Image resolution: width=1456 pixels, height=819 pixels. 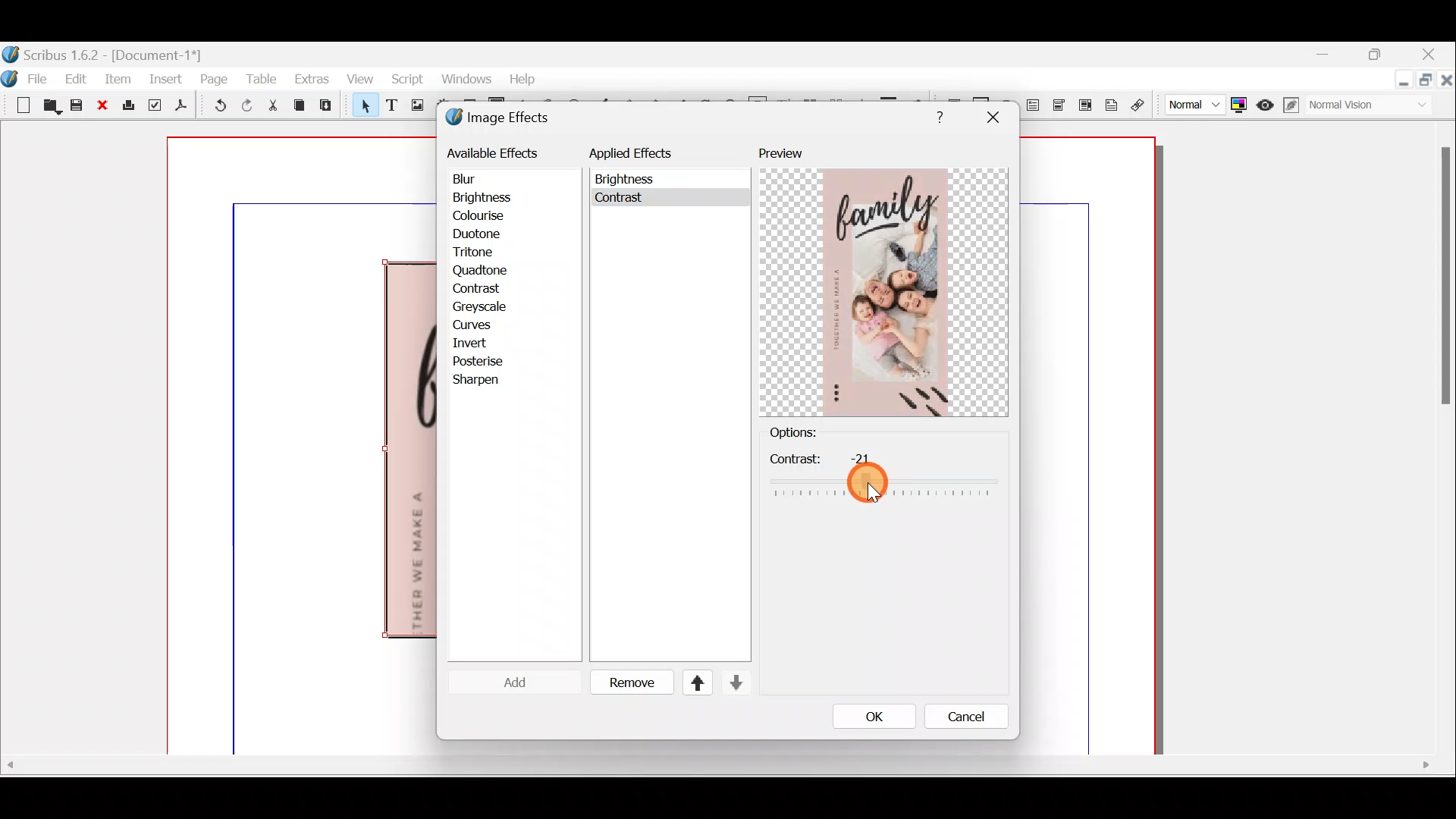 What do you see at coordinates (691, 682) in the screenshot?
I see `Move up` at bounding box center [691, 682].